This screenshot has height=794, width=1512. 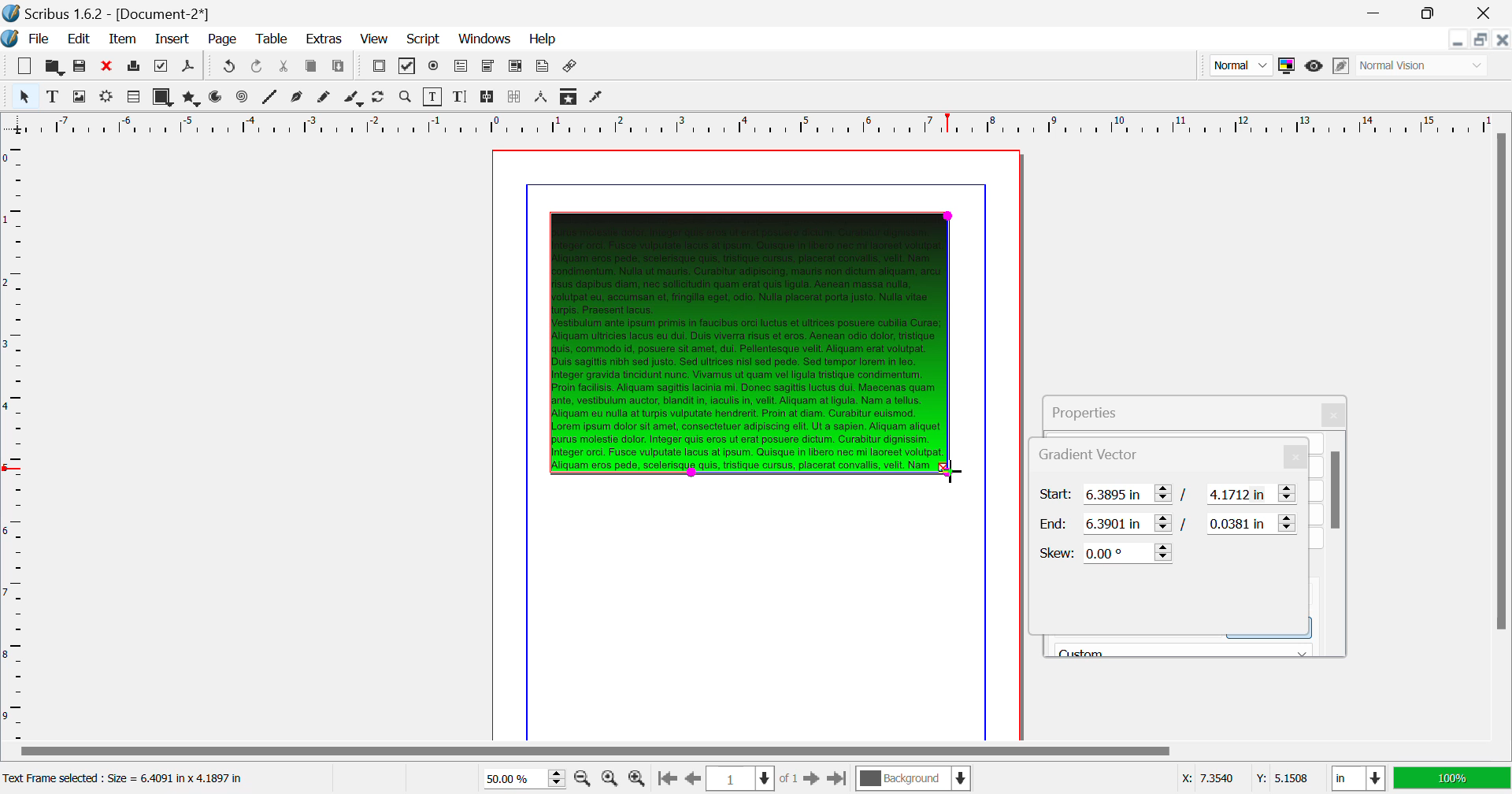 What do you see at coordinates (516, 97) in the screenshot?
I see `Delink Frames` at bounding box center [516, 97].